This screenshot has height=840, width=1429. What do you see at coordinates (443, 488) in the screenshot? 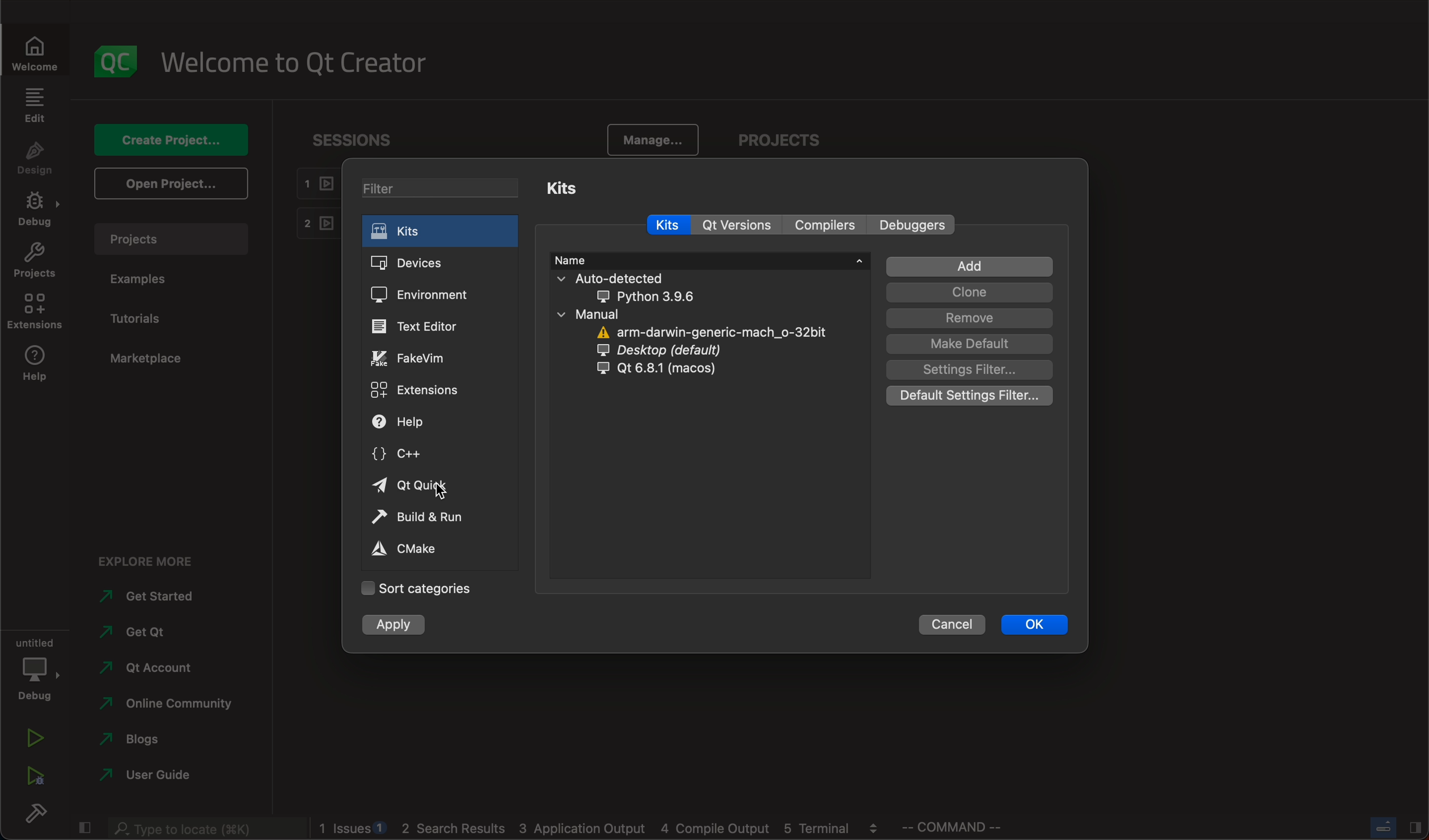
I see `cursor` at bounding box center [443, 488].